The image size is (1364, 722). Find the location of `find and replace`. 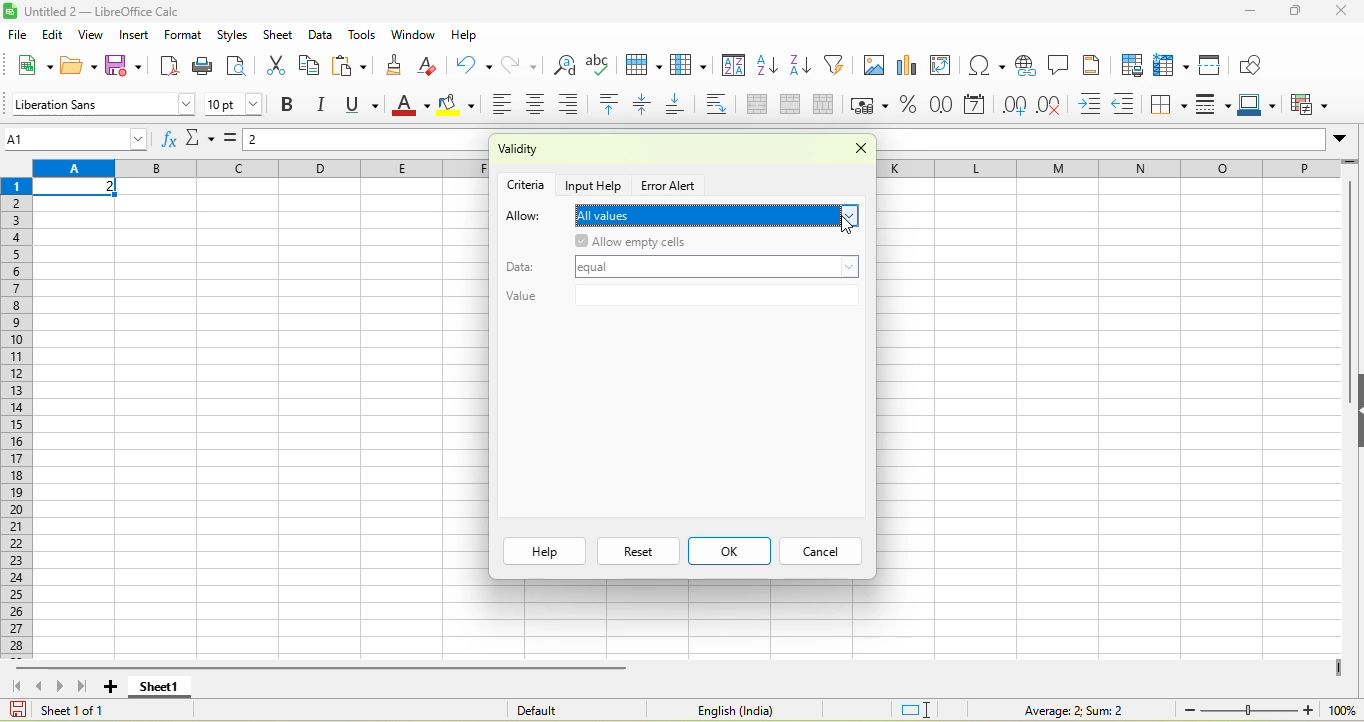

find and replace is located at coordinates (565, 64).